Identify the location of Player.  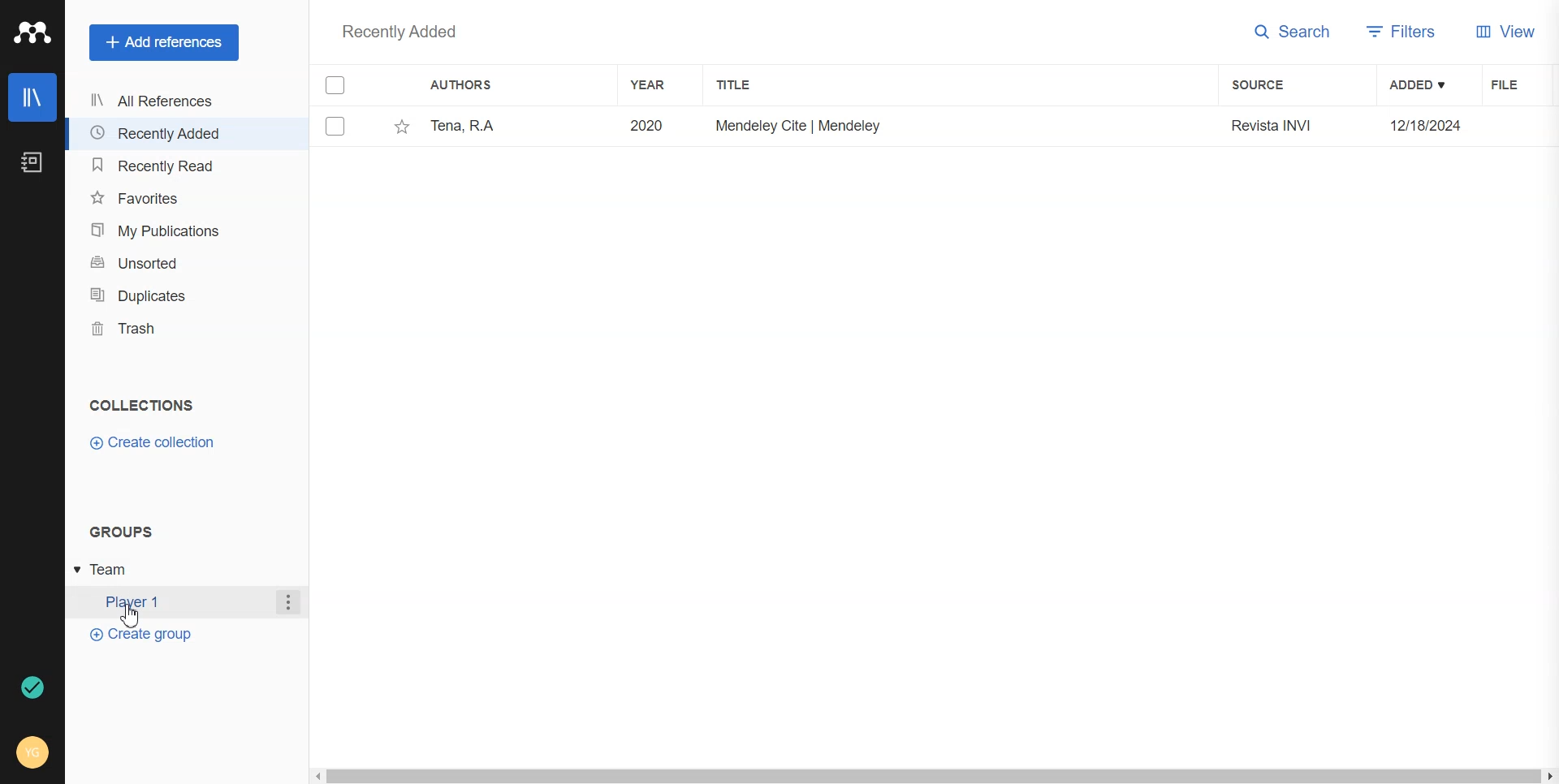
(170, 602).